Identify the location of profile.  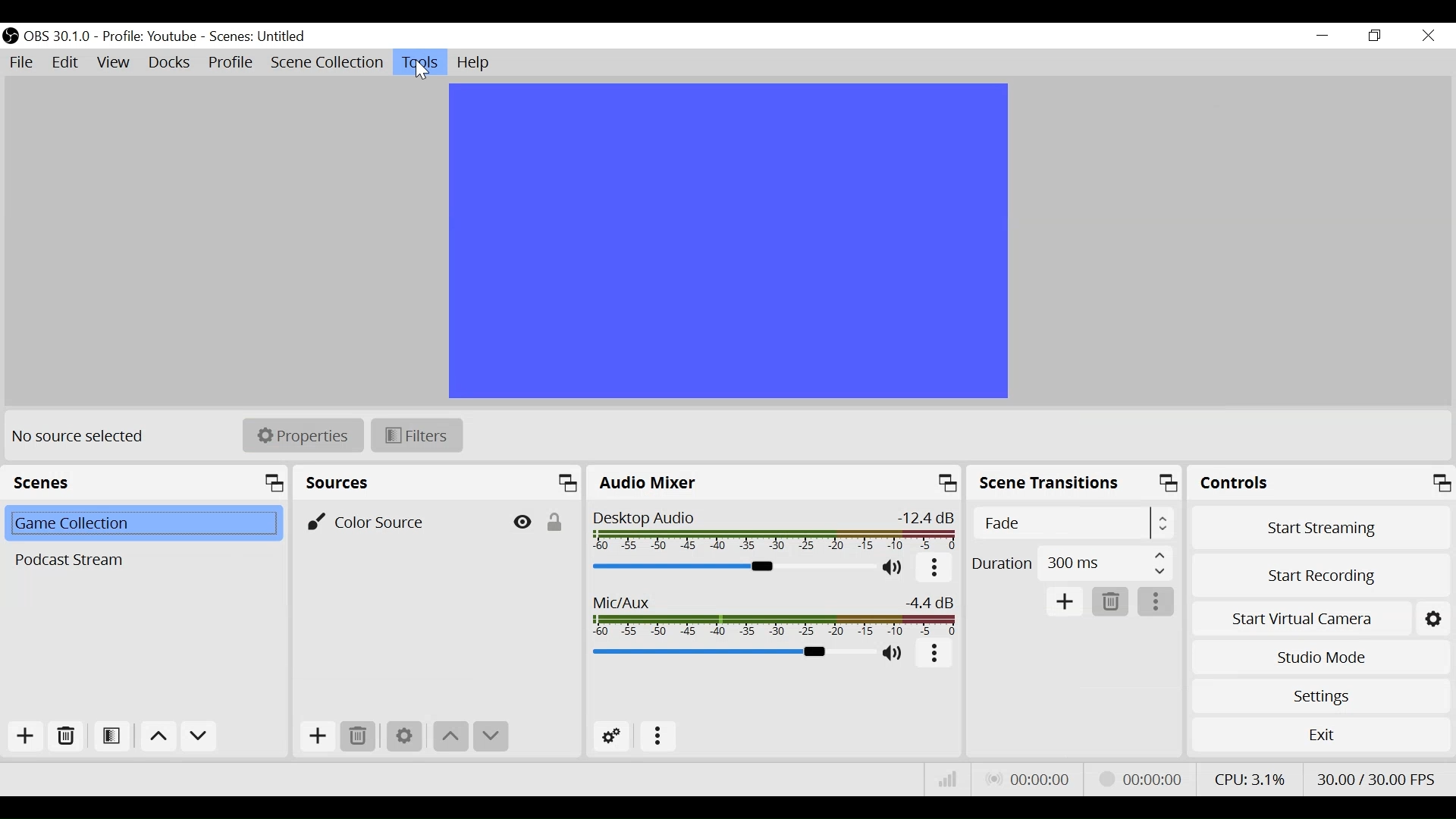
(149, 37).